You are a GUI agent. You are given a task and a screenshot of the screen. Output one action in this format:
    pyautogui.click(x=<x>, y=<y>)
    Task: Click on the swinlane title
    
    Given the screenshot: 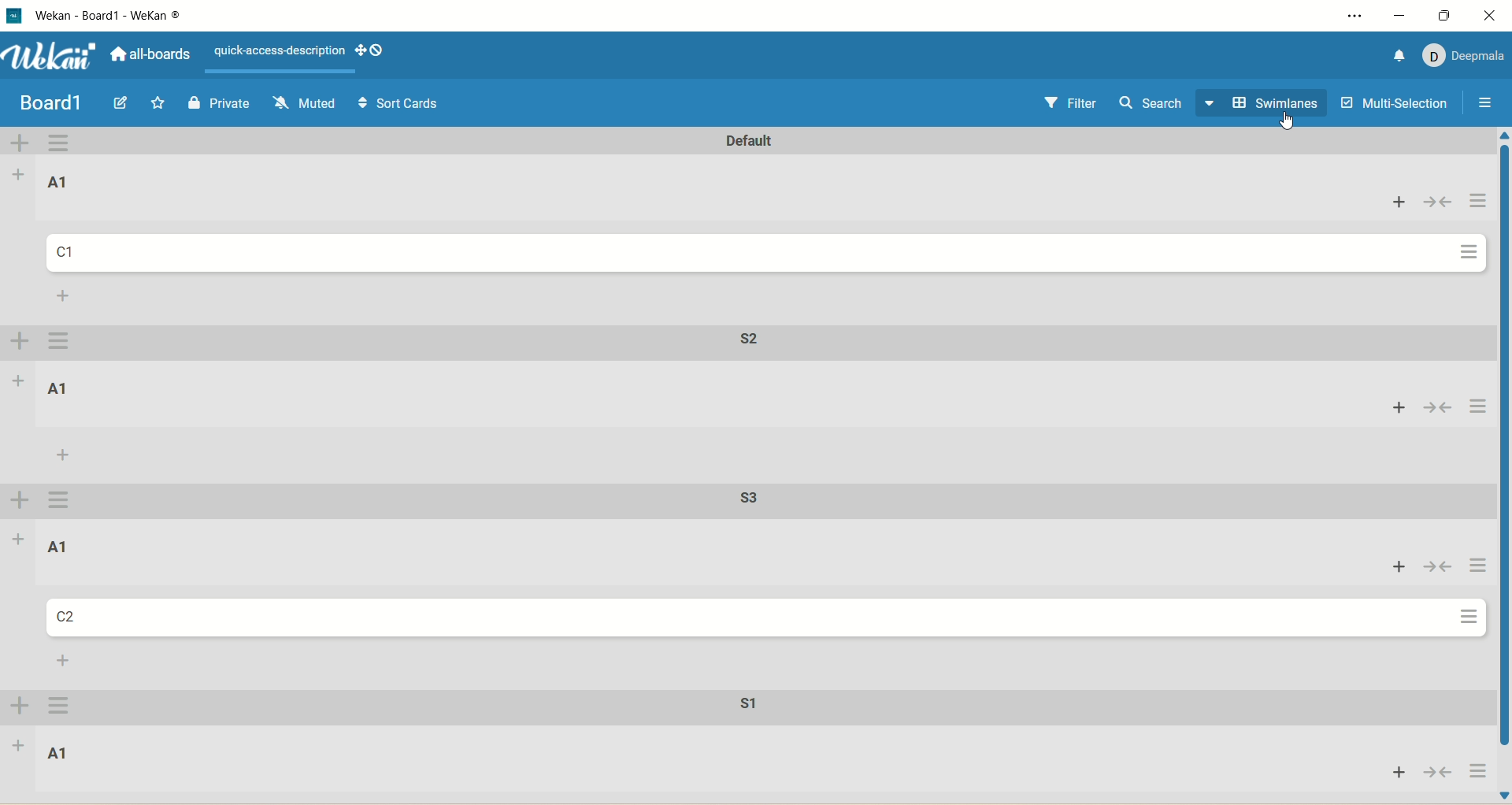 What is the action you would take?
    pyautogui.click(x=754, y=501)
    